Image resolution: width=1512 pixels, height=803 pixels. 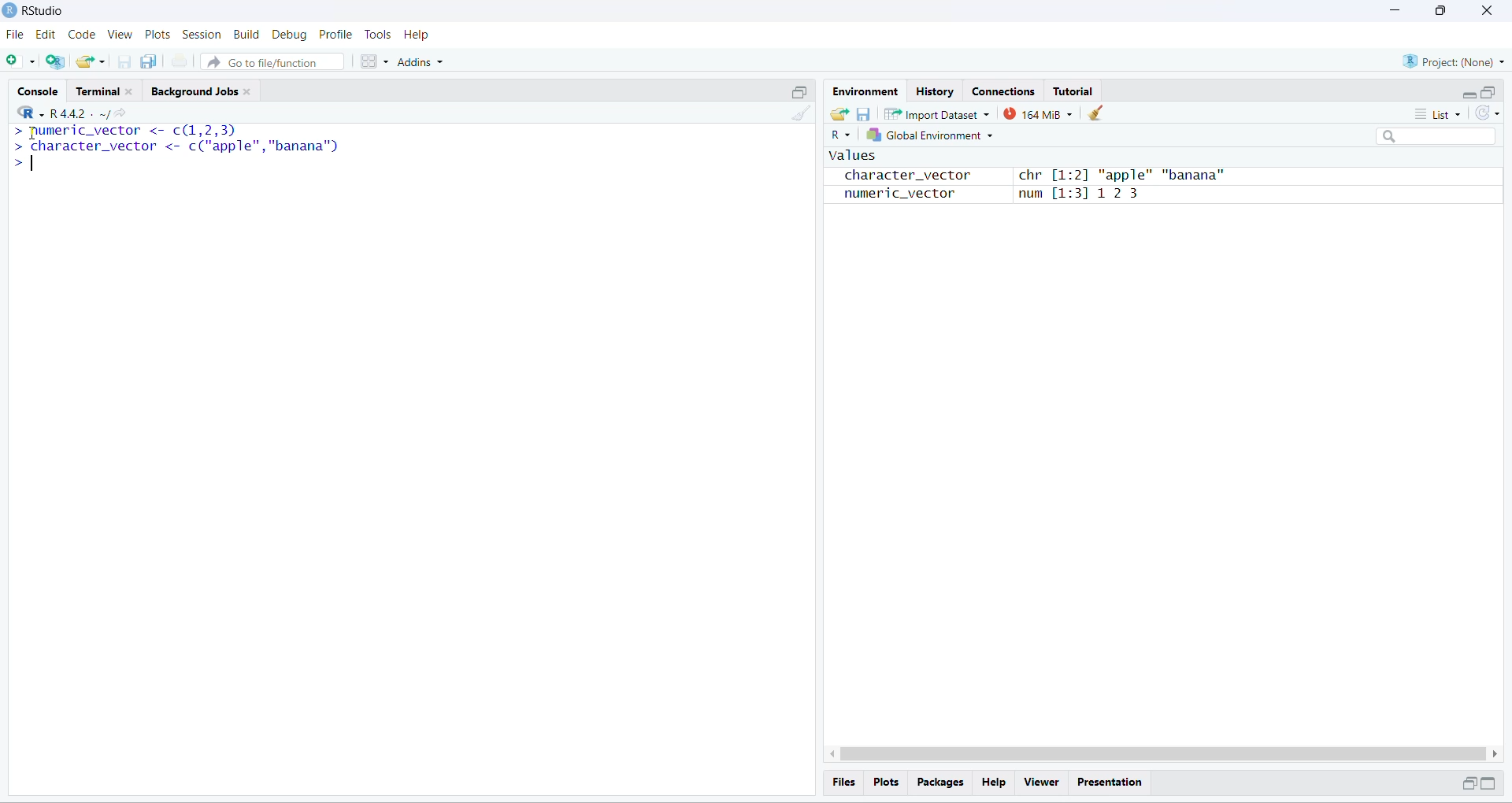 I want to click on load workspace, so click(x=838, y=113).